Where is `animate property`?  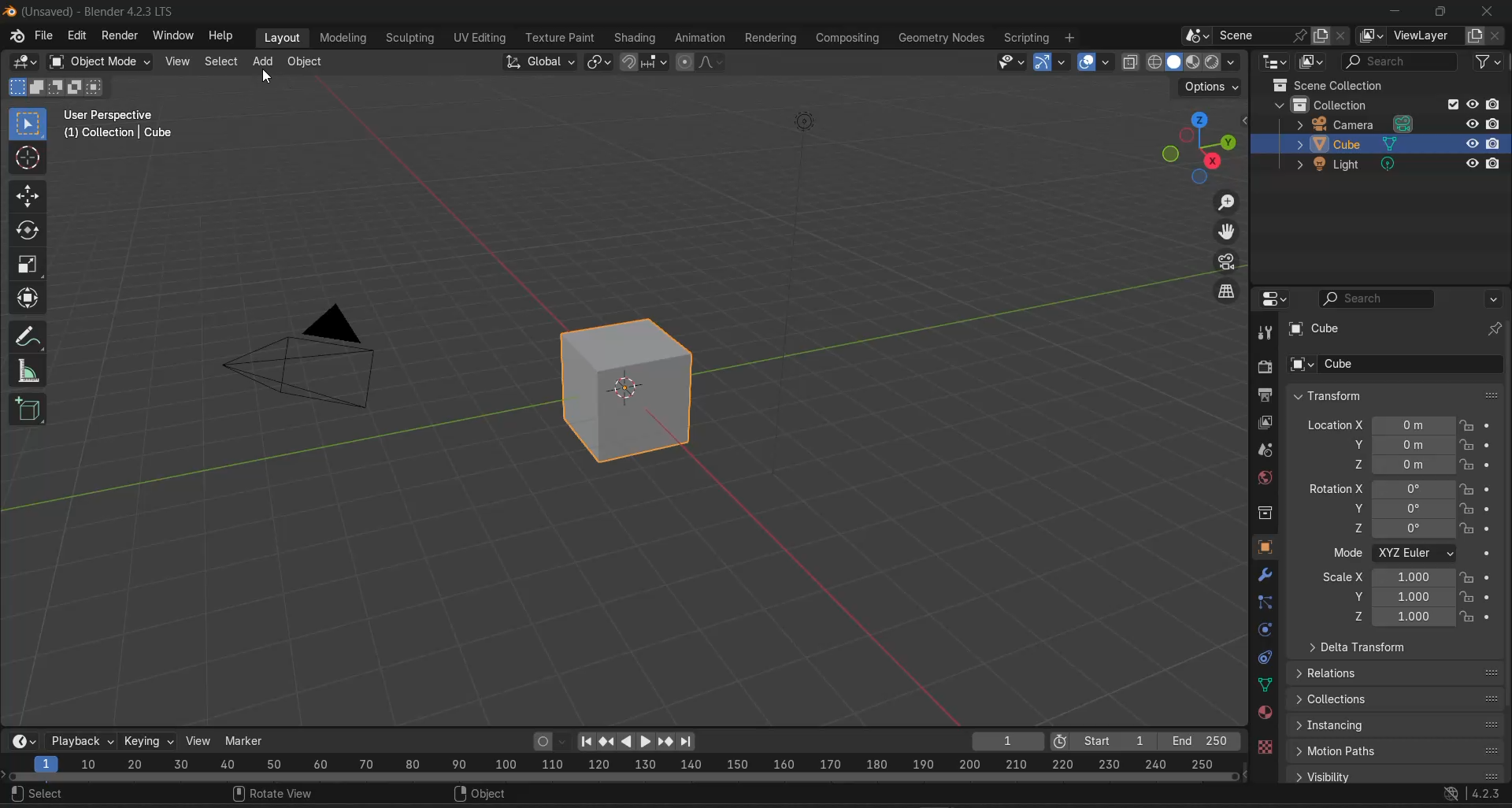 animate property is located at coordinates (1493, 509).